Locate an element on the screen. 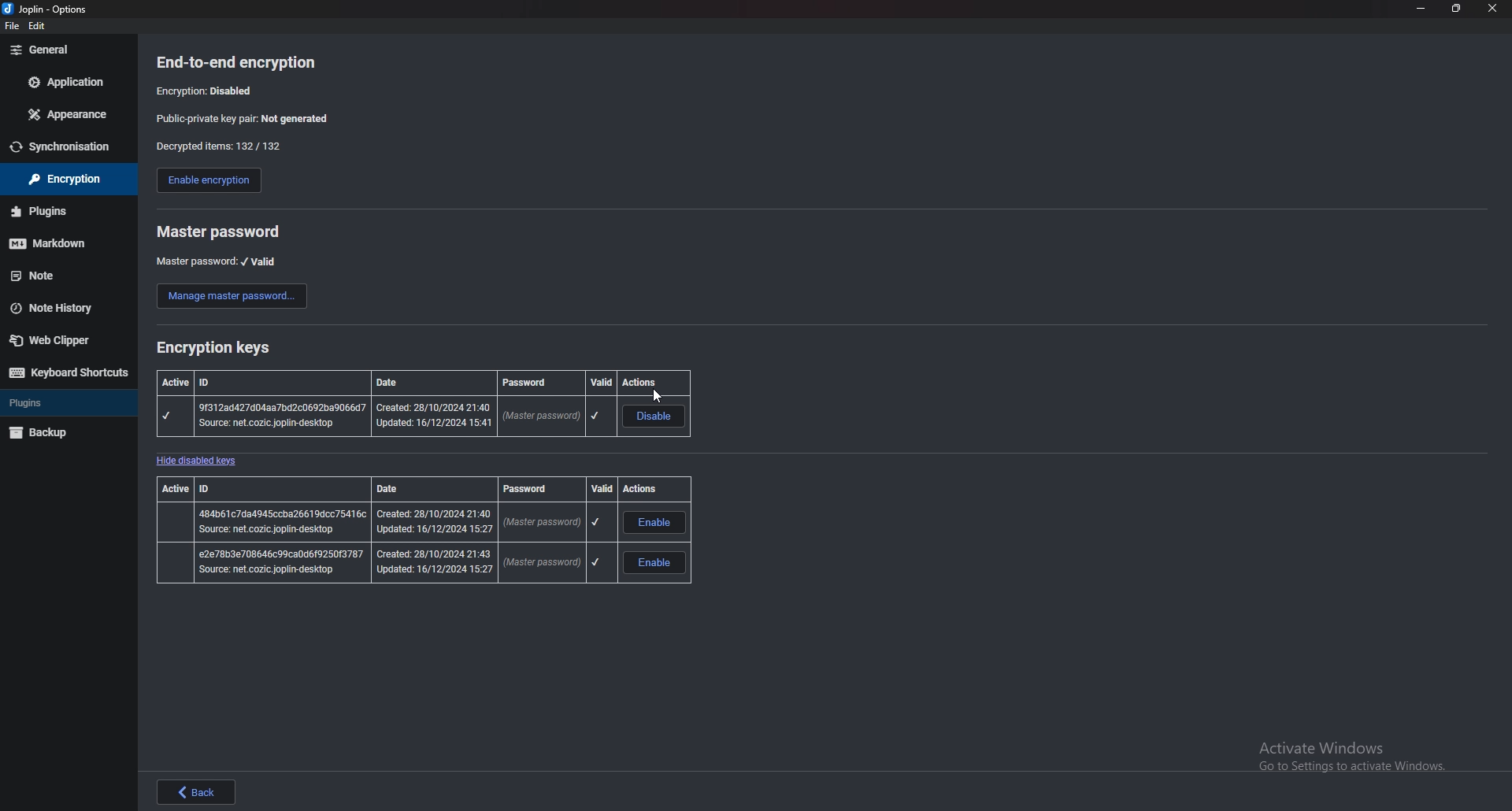 The image size is (1512, 811). manage master password is located at coordinates (232, 297).